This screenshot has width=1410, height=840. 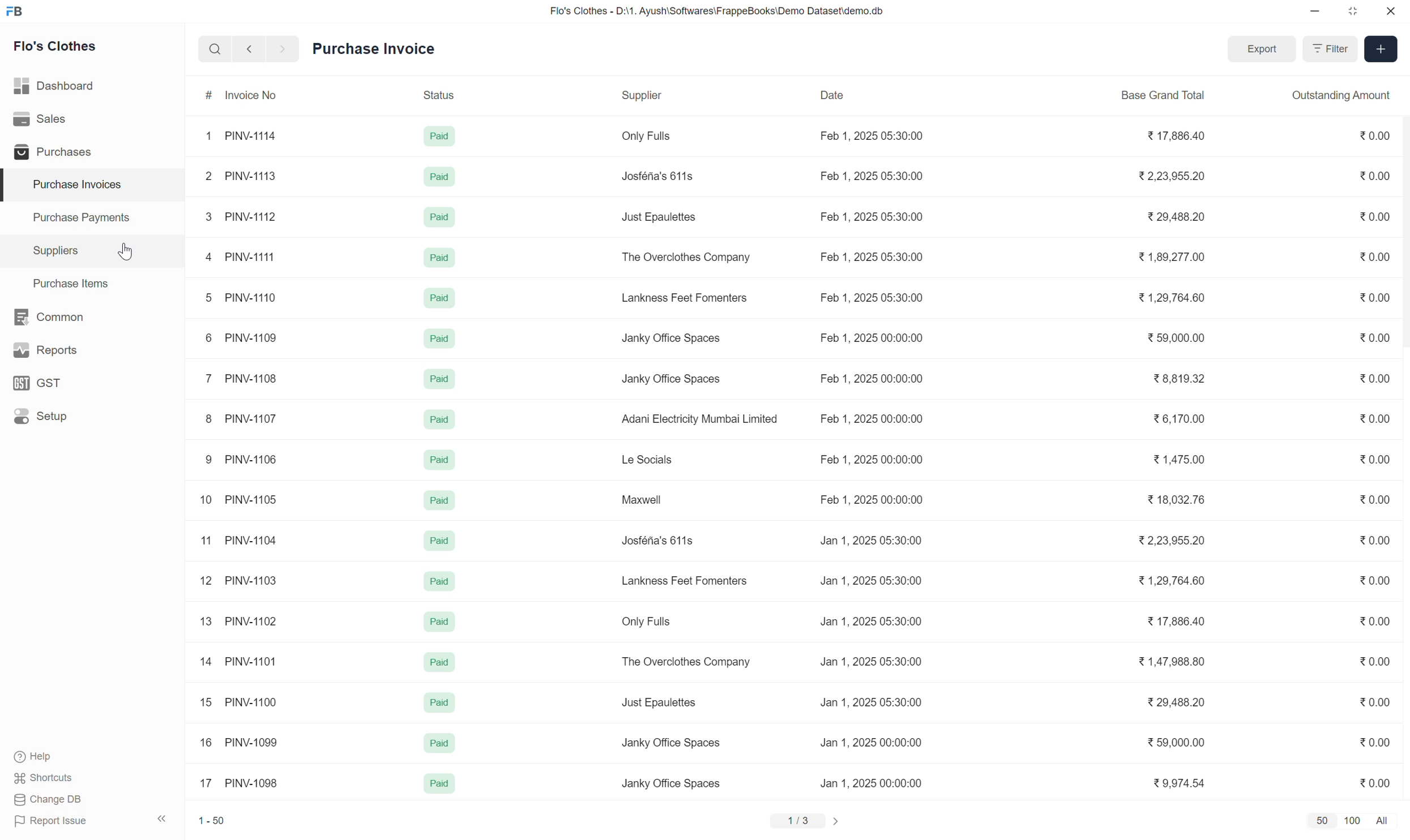 What do you see at coordinates (241, 136) in the screenshot?
I see `1 PINV-1114` at bounding box center [241, 136].